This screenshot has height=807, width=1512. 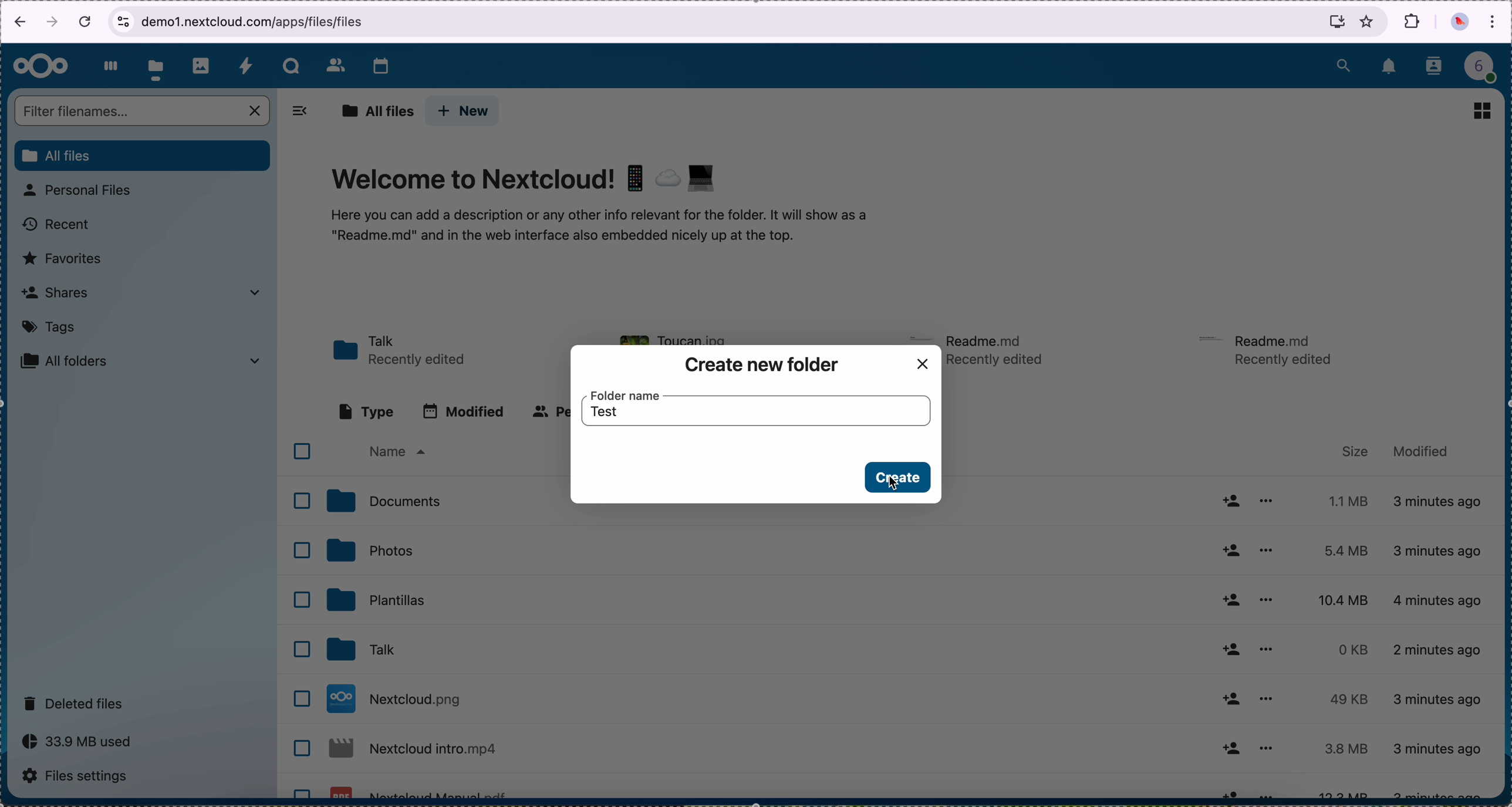 What do you see at coordinates (1345, 601) in the screenshot?
I see `10.4 MB` at bounding box center [1345, 601].